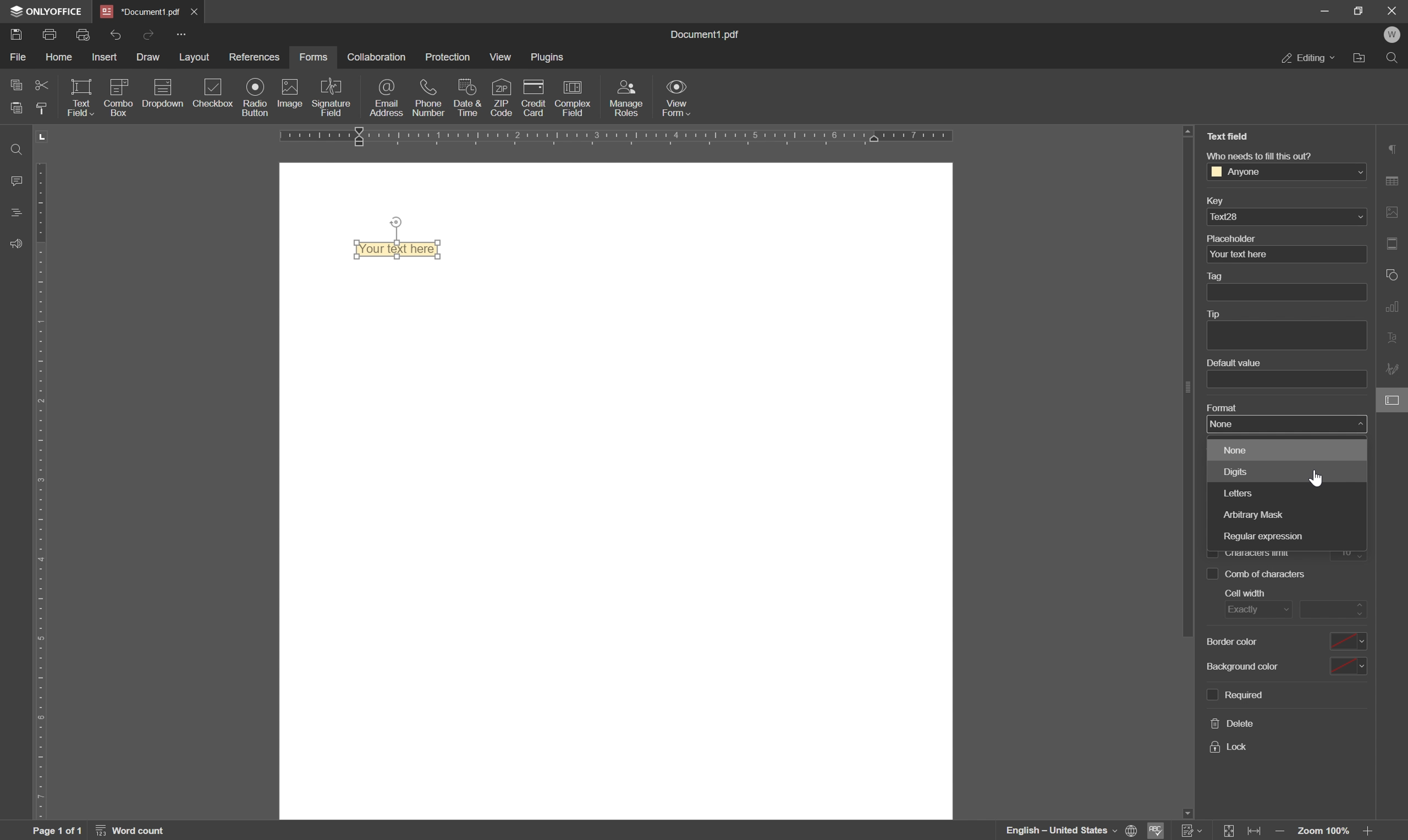 Image resolution: width=1408 pixels, height=840 pixels. Describe the element at coordinates (42, 109) in the screenshot. I see `copy style` at that location.